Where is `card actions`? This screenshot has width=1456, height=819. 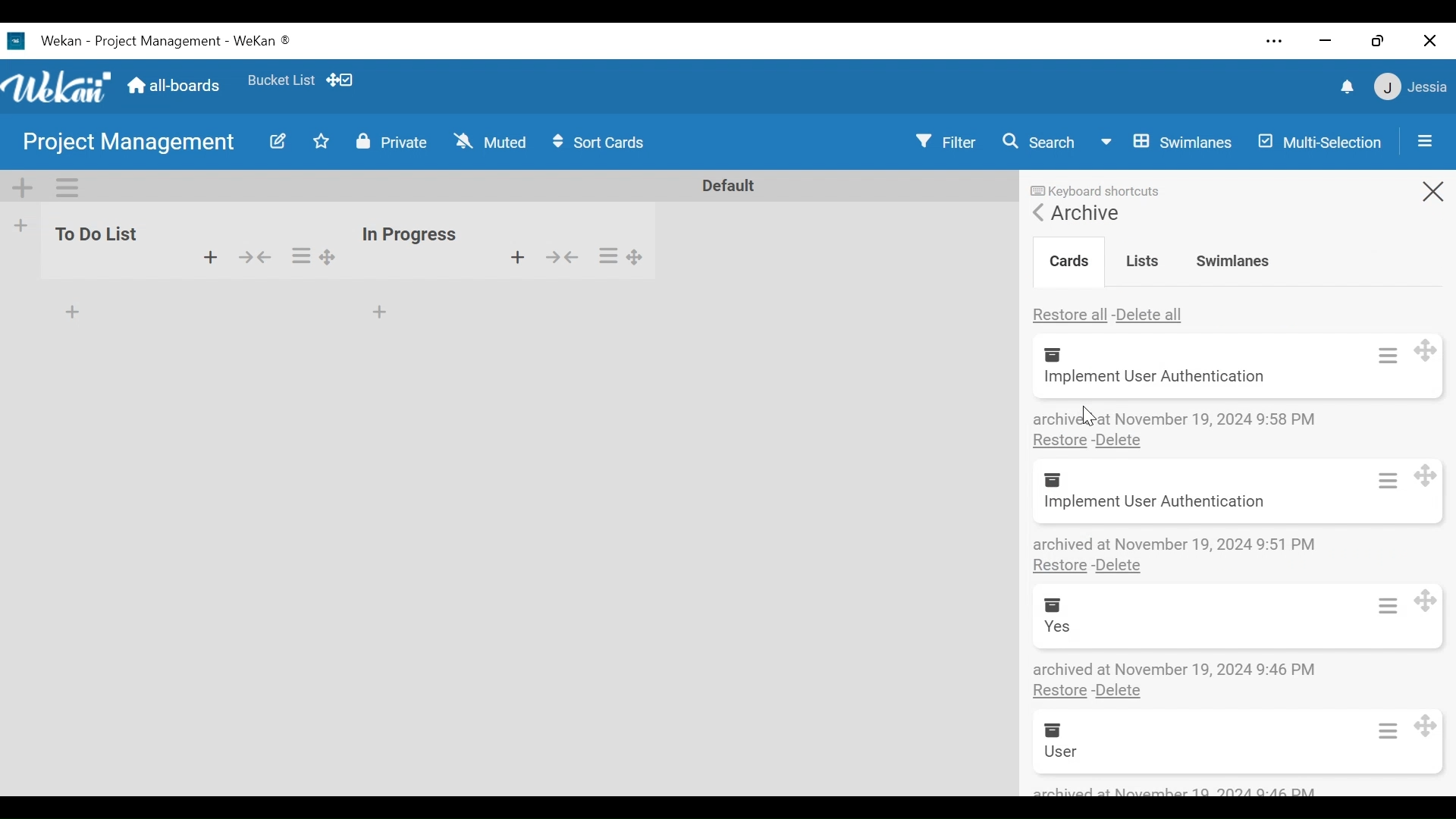 card actions is located at coordinates (1390, 606).